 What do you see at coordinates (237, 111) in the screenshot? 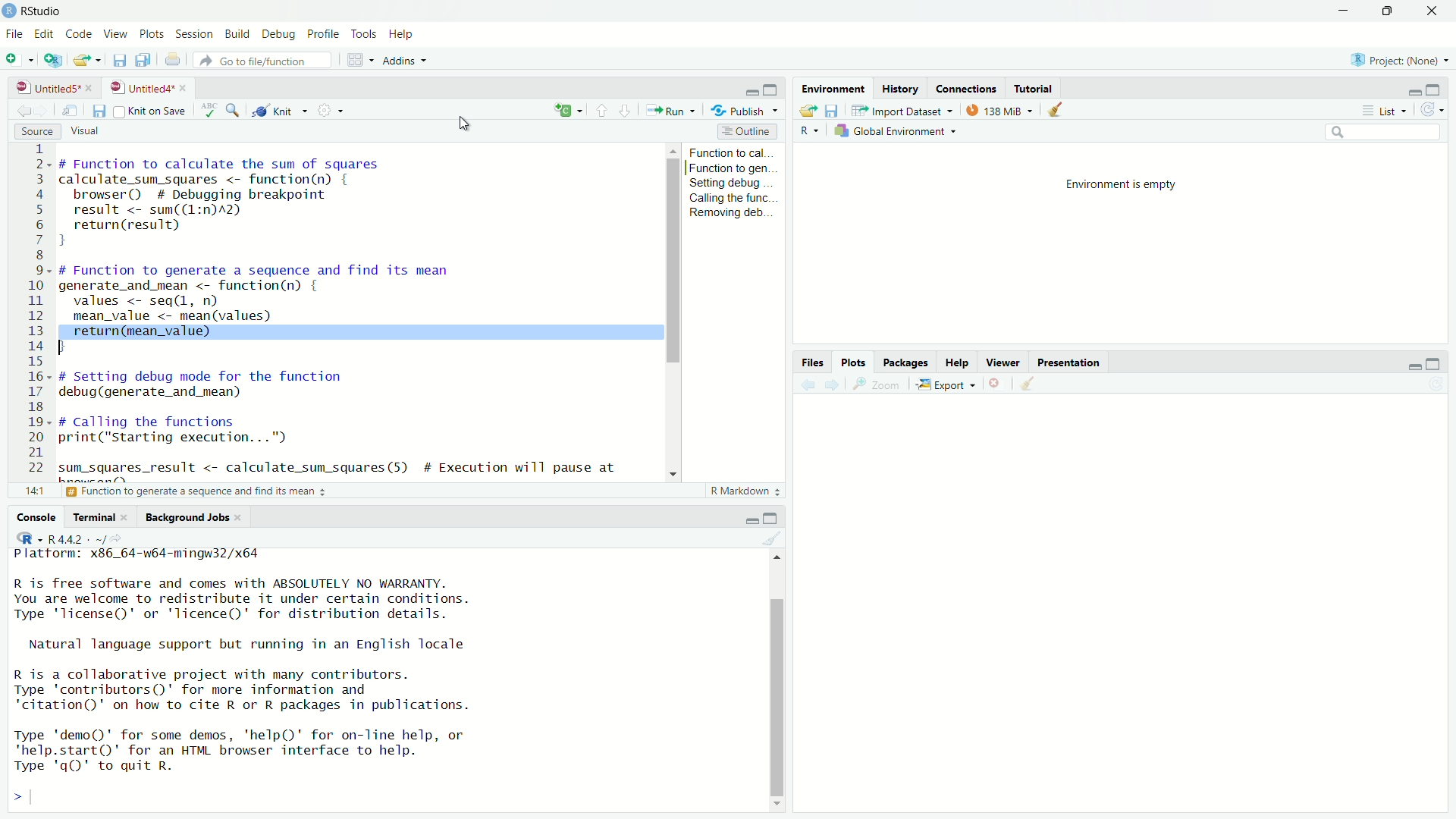
I see `find/replace` at bounding box center [237, 111].